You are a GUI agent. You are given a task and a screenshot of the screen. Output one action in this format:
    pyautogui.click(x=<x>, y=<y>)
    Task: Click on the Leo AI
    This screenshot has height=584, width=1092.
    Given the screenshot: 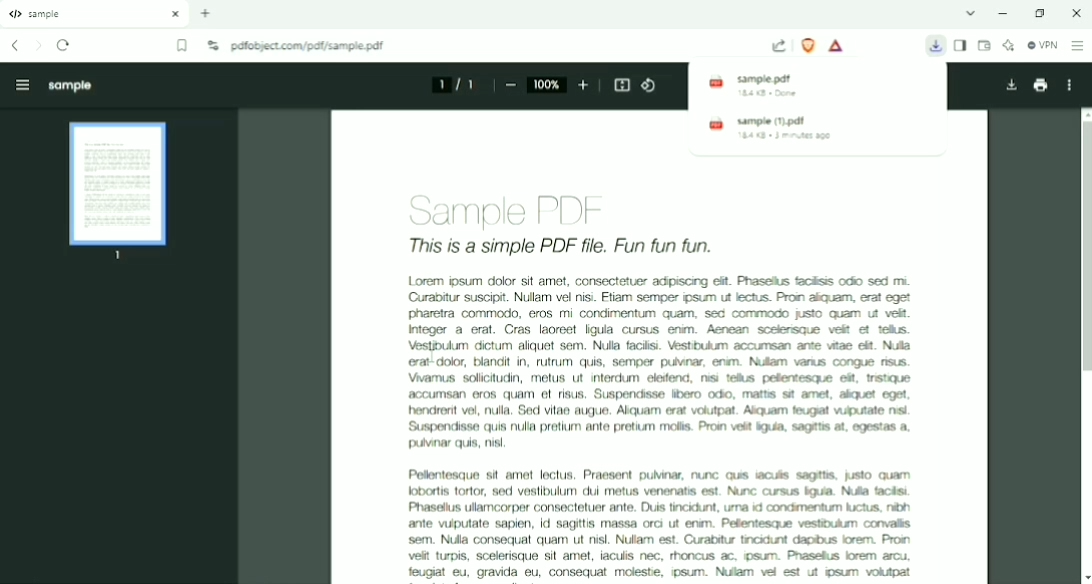 What is the action you would take?
    pyautogui.click(x=1008, y=46)
    